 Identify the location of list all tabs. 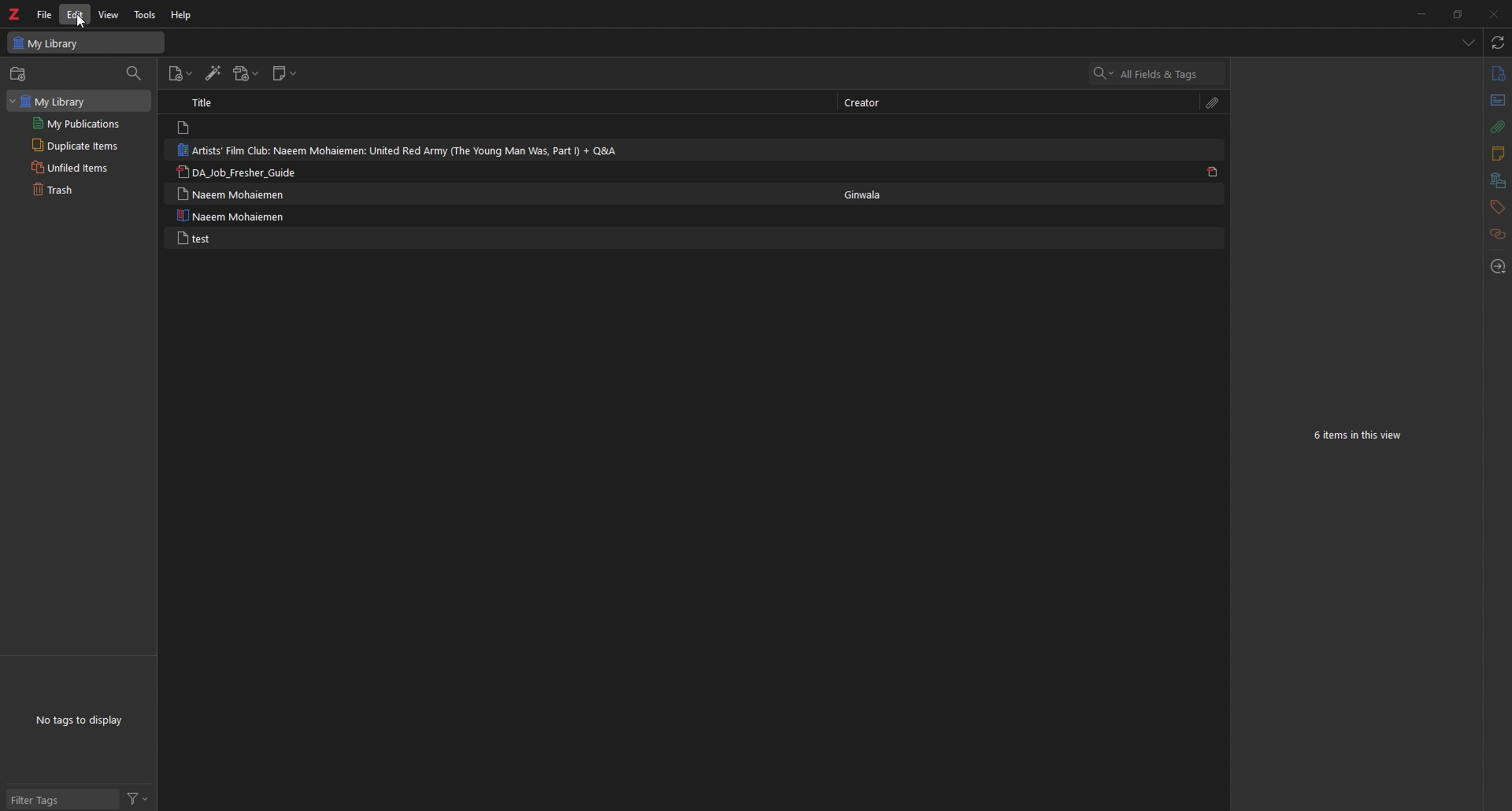
(1468, 44).